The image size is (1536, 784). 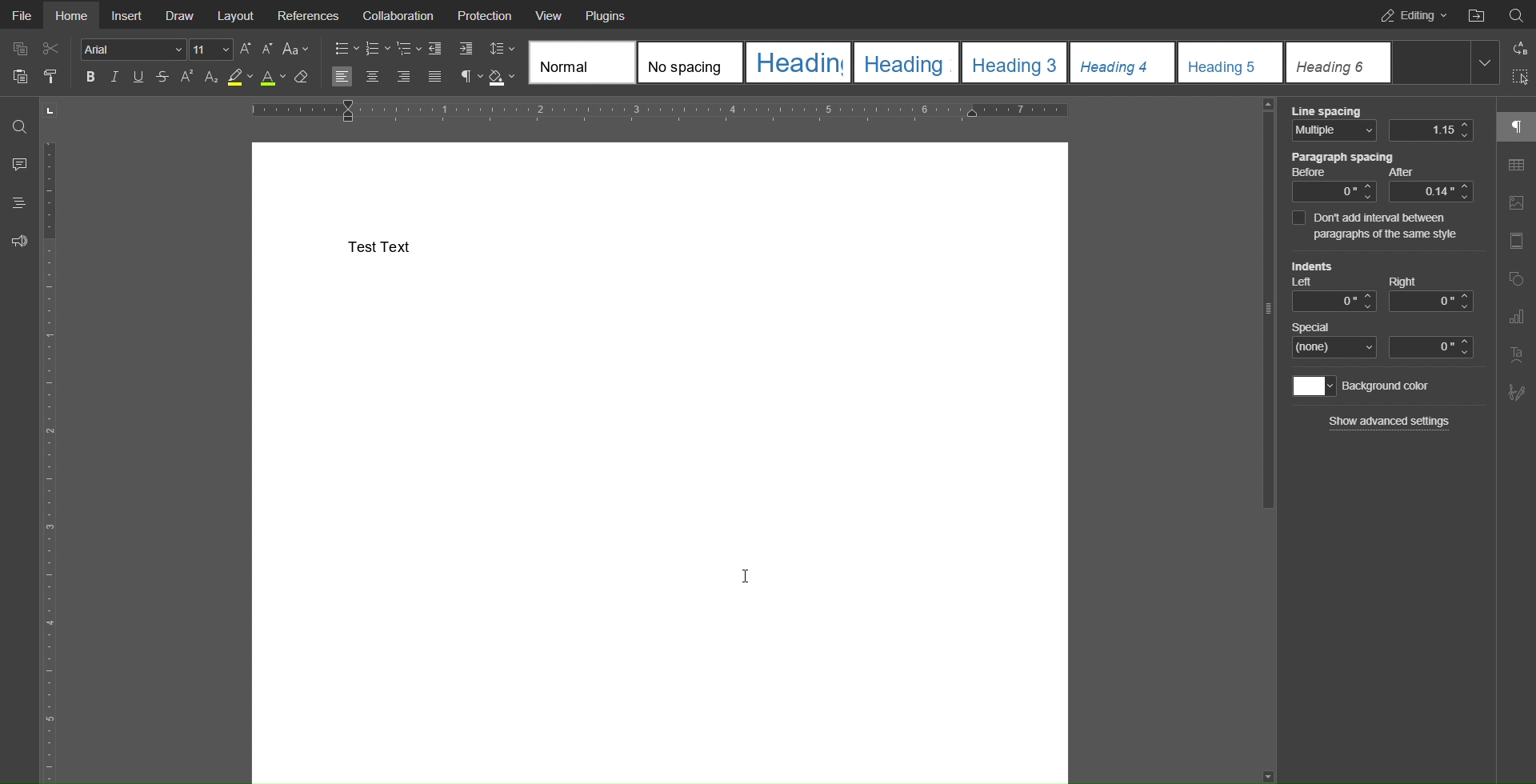 What do you see at coordinates (161, 78) in the screenshot?
I see `Strikethrough` at bounding box center [161, 78].